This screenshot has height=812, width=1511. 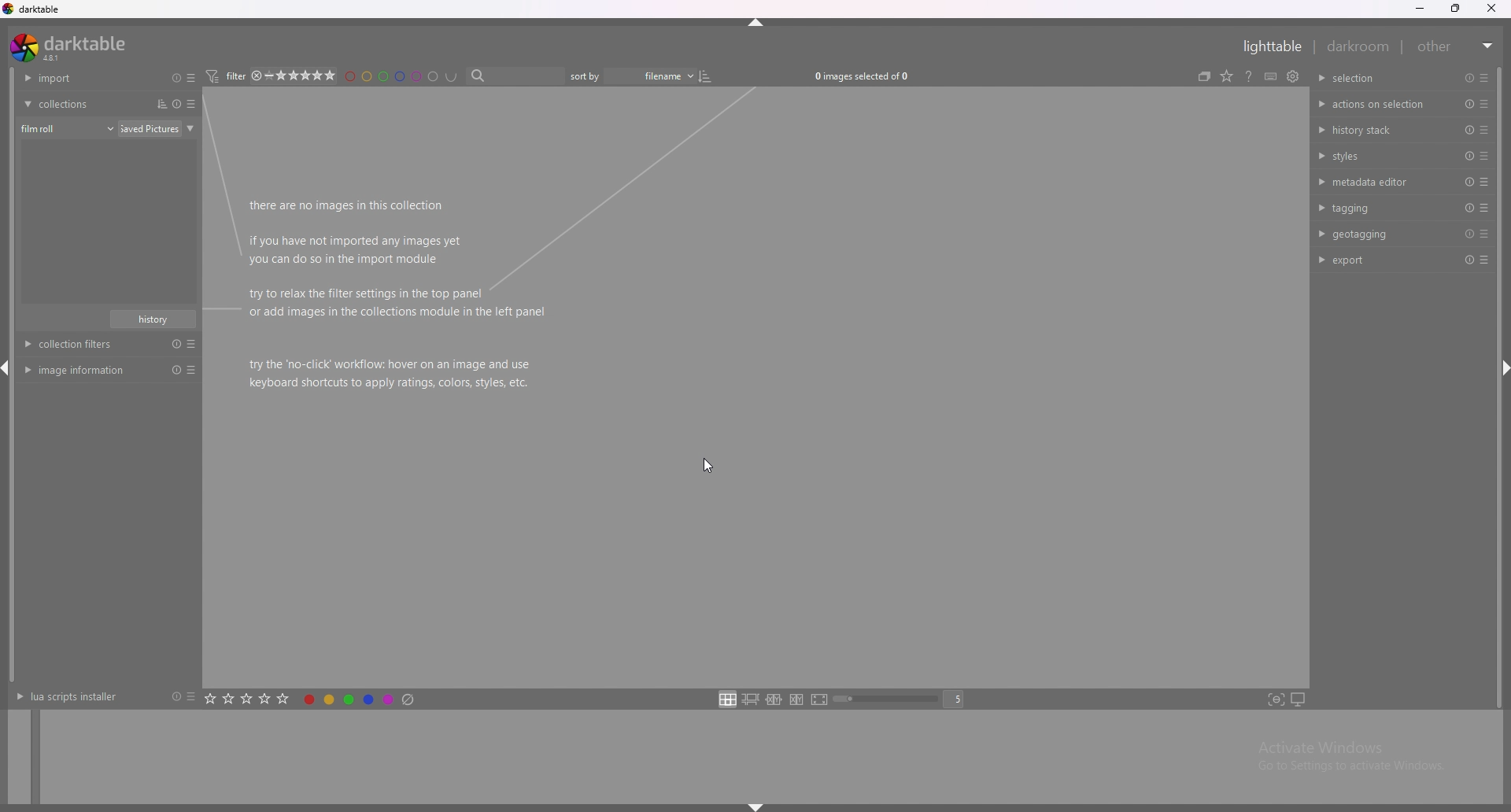 What do you see at coordinates (1377, 129) in the screenshot?
I see `history stack` at bounding box center [1377, 129].